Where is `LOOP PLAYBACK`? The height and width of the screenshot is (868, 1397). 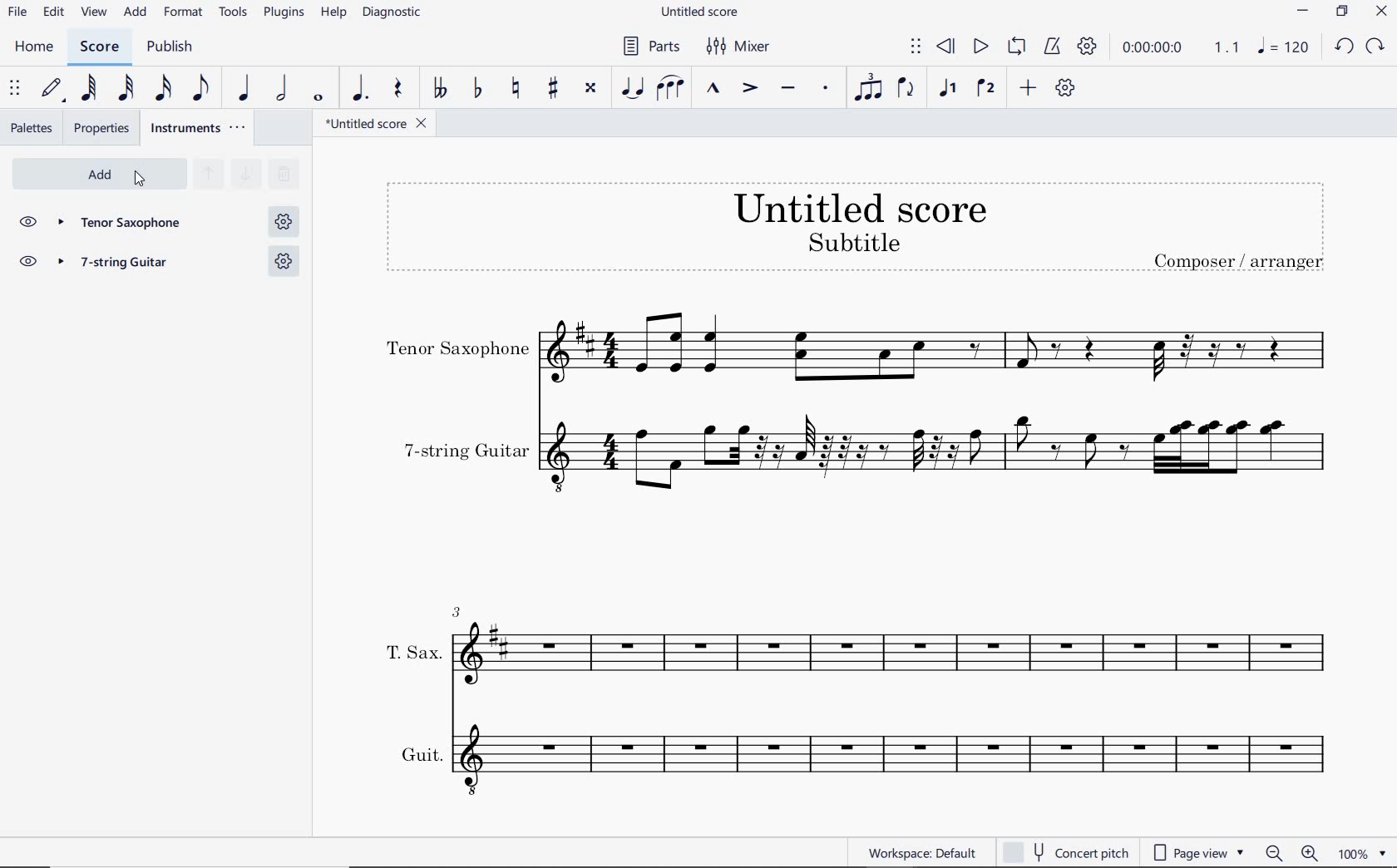
LOOP PLAYBACK is located at coordinates (1014, 47).